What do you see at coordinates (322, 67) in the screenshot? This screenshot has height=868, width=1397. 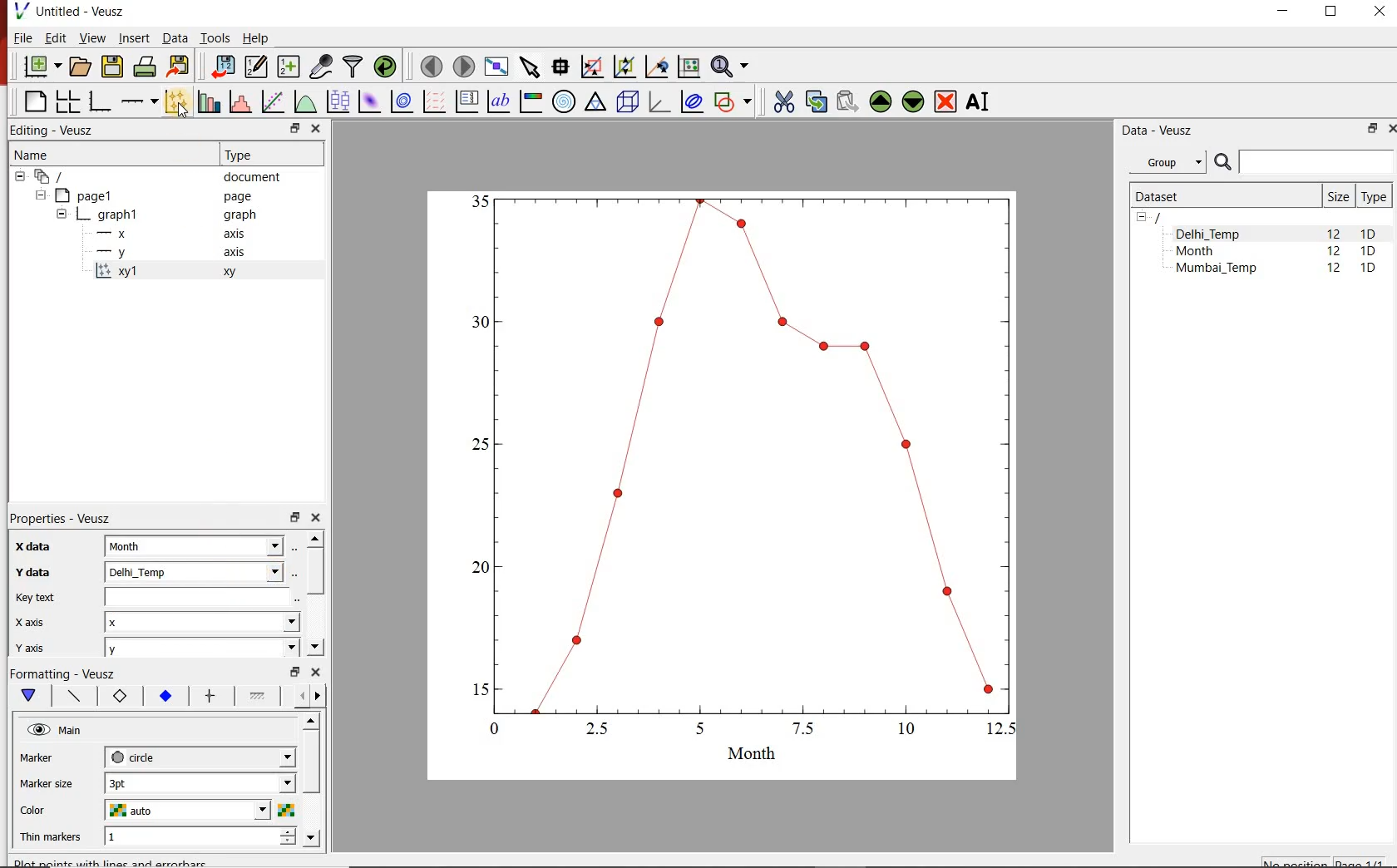 I see `capture remote data` at bounding box center [322, 67].